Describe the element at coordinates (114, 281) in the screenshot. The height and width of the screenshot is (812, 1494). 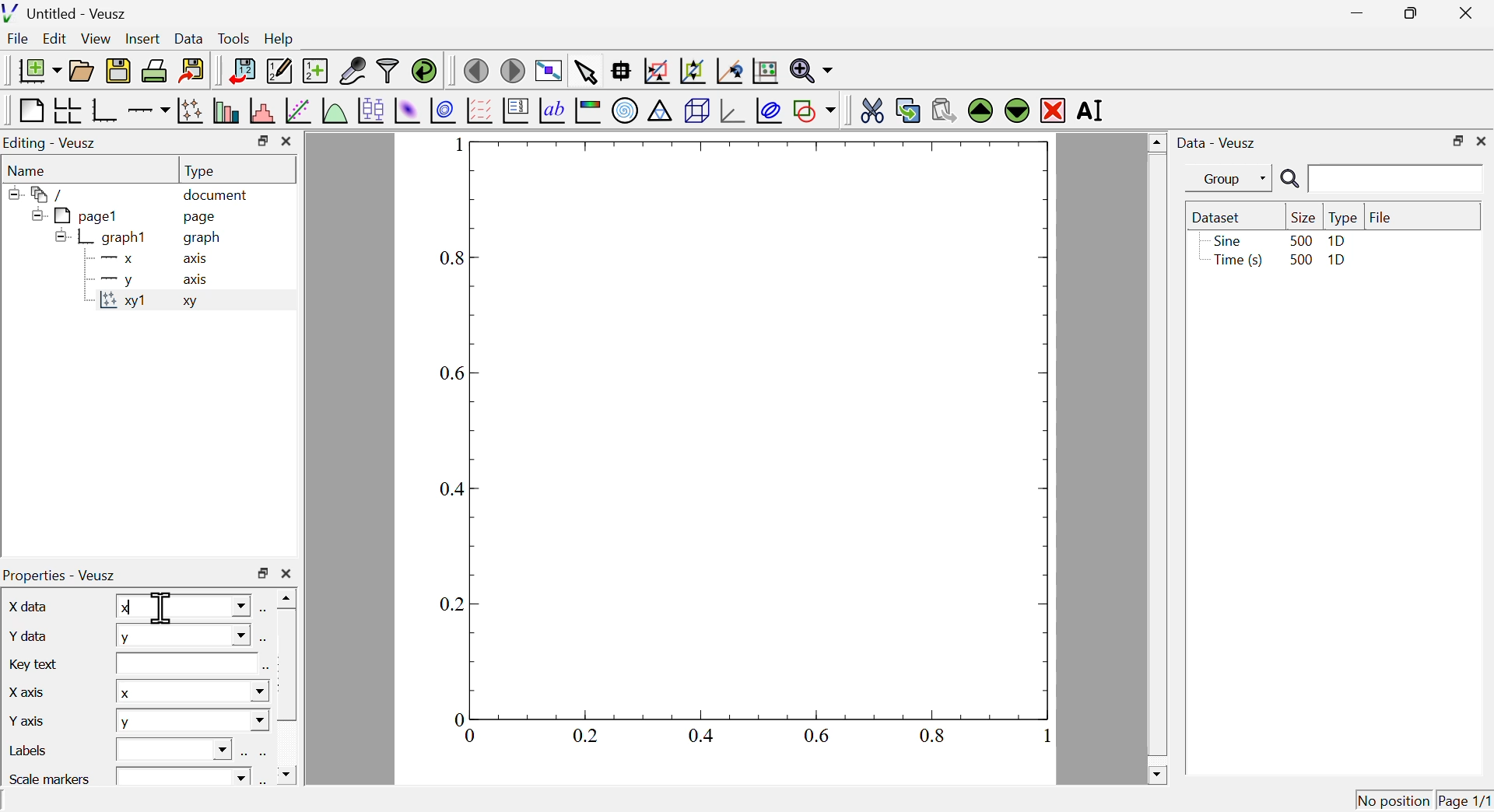
I see `y` at that location.